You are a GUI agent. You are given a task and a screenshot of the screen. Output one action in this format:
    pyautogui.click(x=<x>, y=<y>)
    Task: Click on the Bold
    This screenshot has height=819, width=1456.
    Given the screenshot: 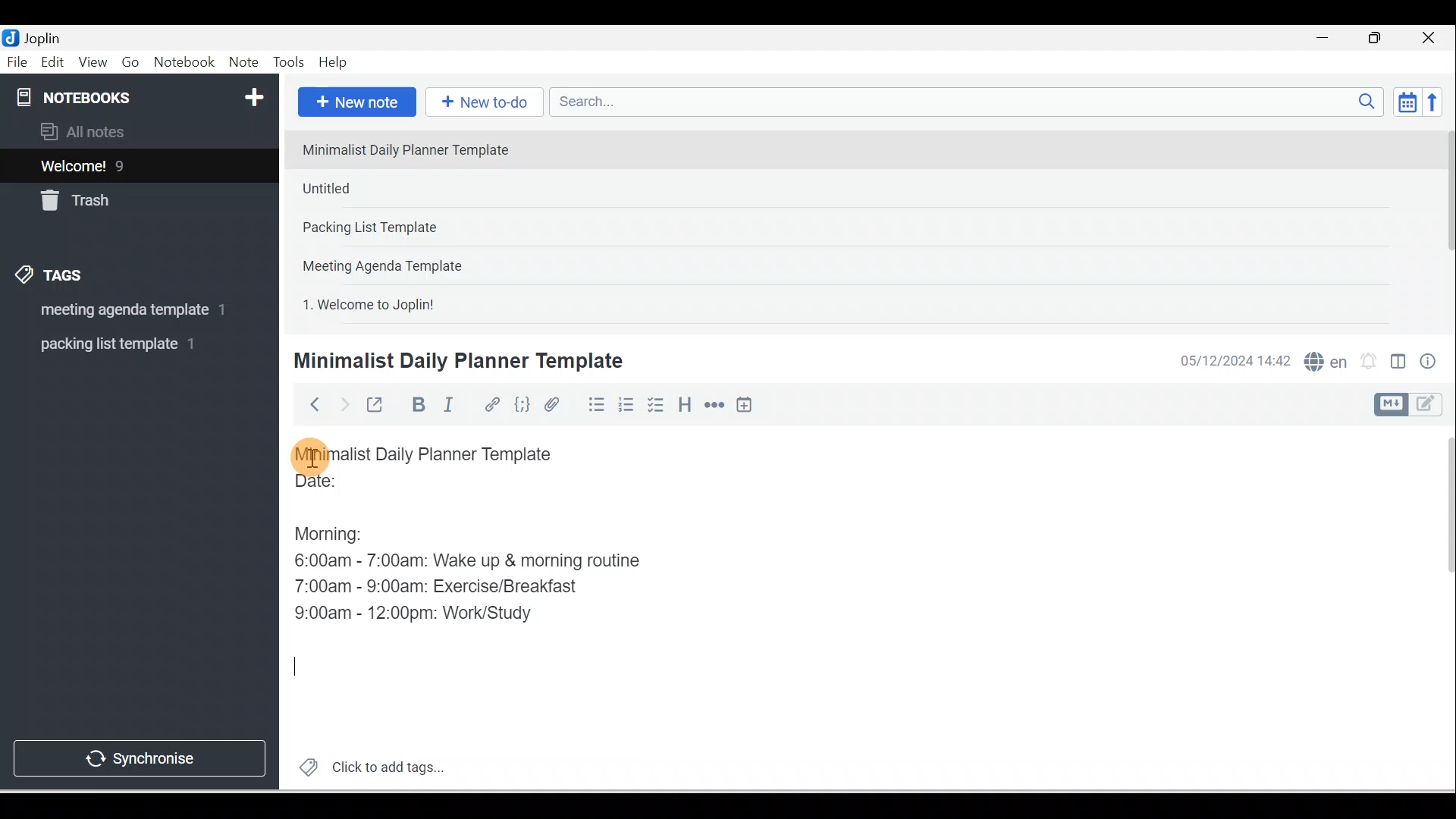 What is the action you would take?
    pyautogui.click(x=416, y=405)
    